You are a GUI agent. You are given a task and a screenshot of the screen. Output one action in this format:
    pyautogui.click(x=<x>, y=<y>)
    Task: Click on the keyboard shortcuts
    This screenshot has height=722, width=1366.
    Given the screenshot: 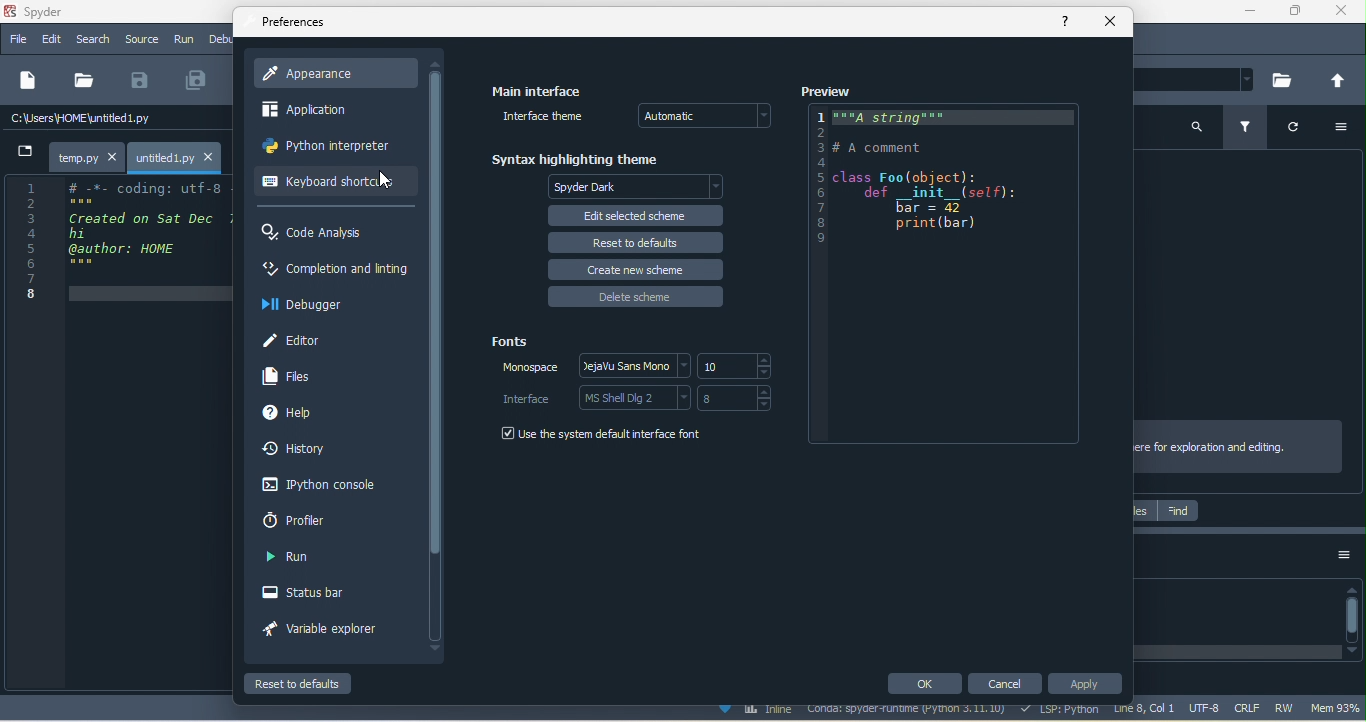 What is the action you would take?
    pyautogui.click(x=327, y=184)
    